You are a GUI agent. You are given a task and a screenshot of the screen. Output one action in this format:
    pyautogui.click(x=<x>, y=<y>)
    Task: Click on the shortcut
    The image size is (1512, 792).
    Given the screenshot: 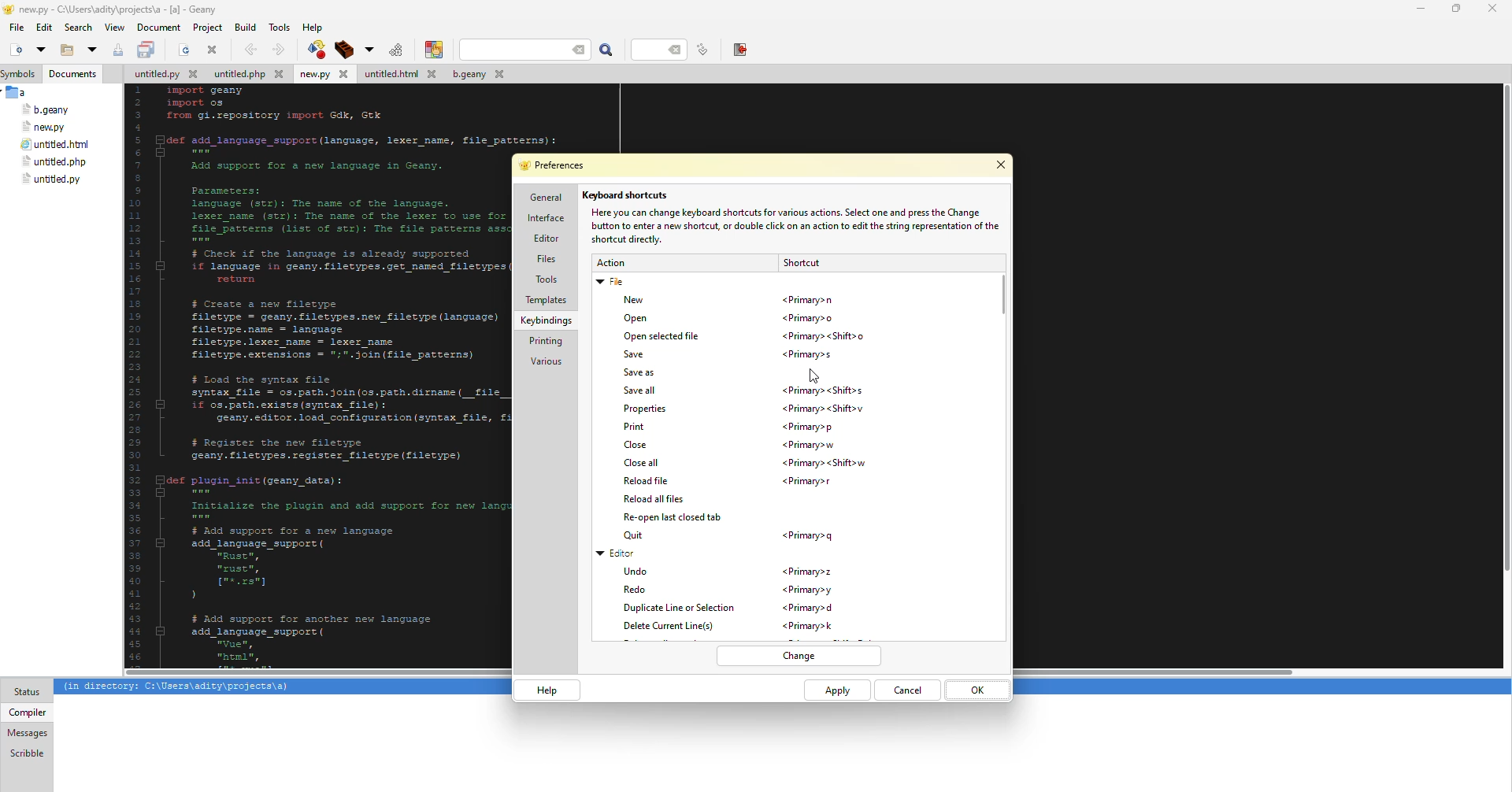 What is the action you would take?
    pyautogui.click(x=807, y=573)
    